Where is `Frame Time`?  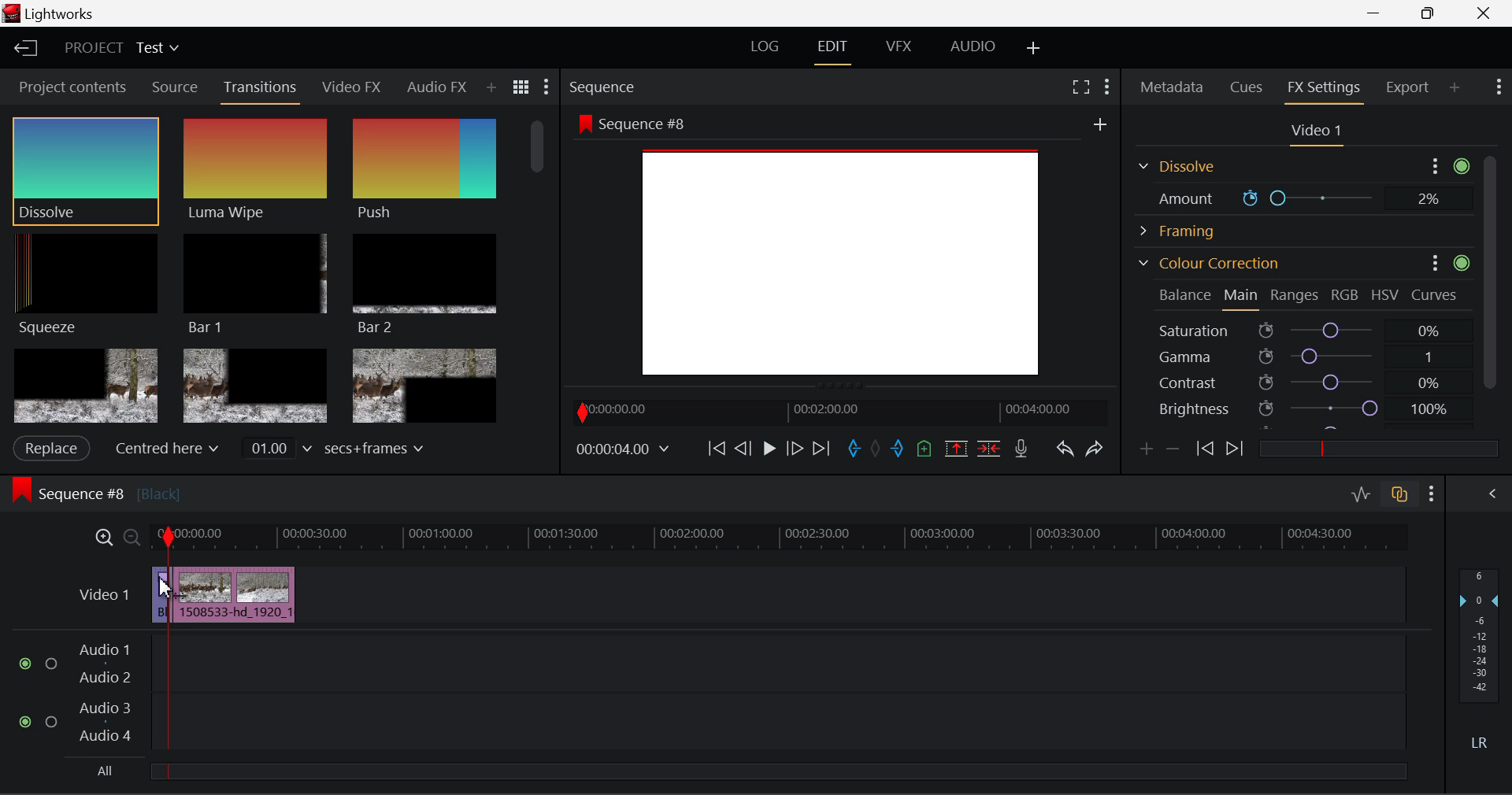
Frame Time is located at coordinates (624, 450).